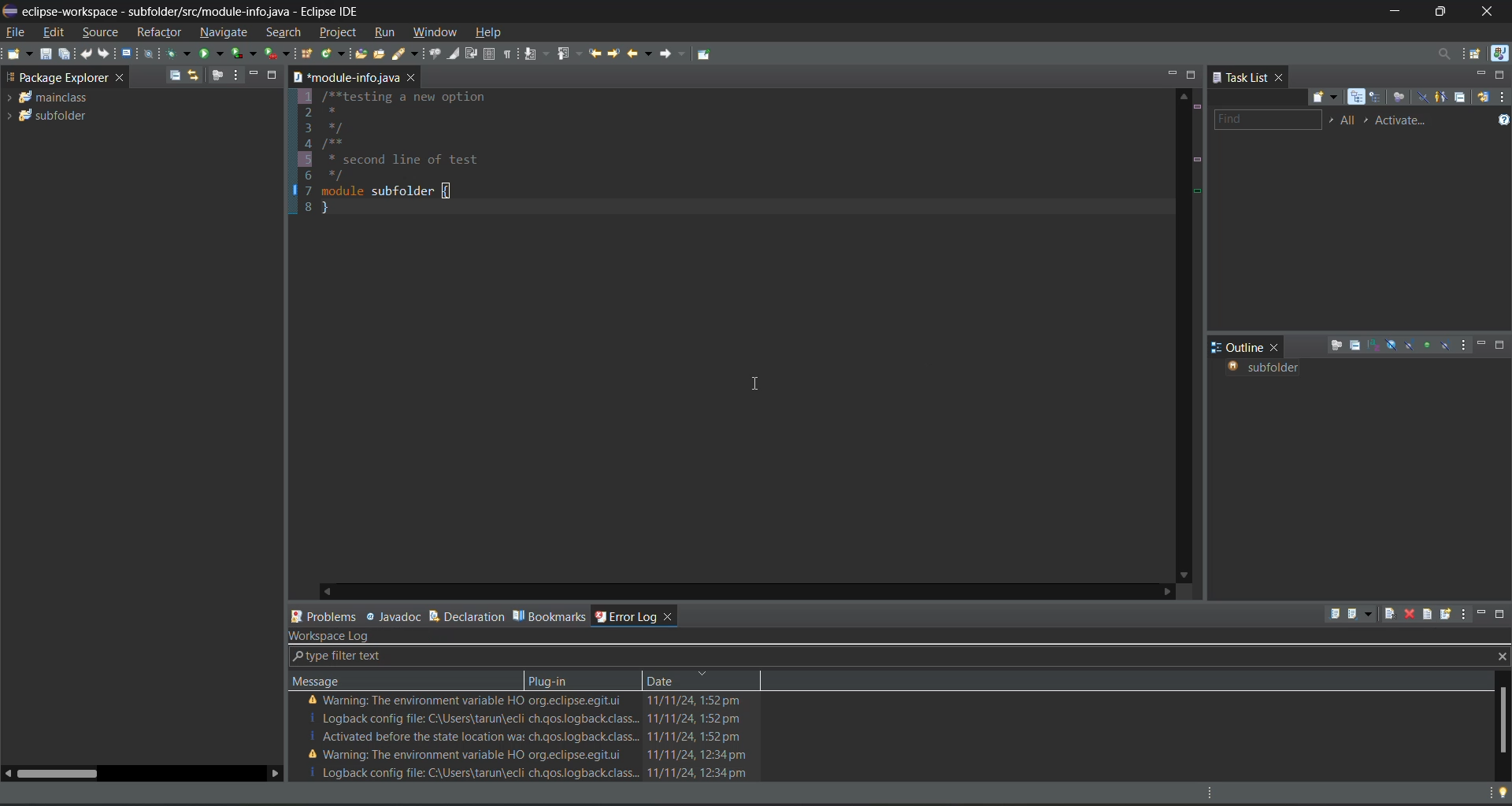  I want to click on hide fields, so click(1393, 346).